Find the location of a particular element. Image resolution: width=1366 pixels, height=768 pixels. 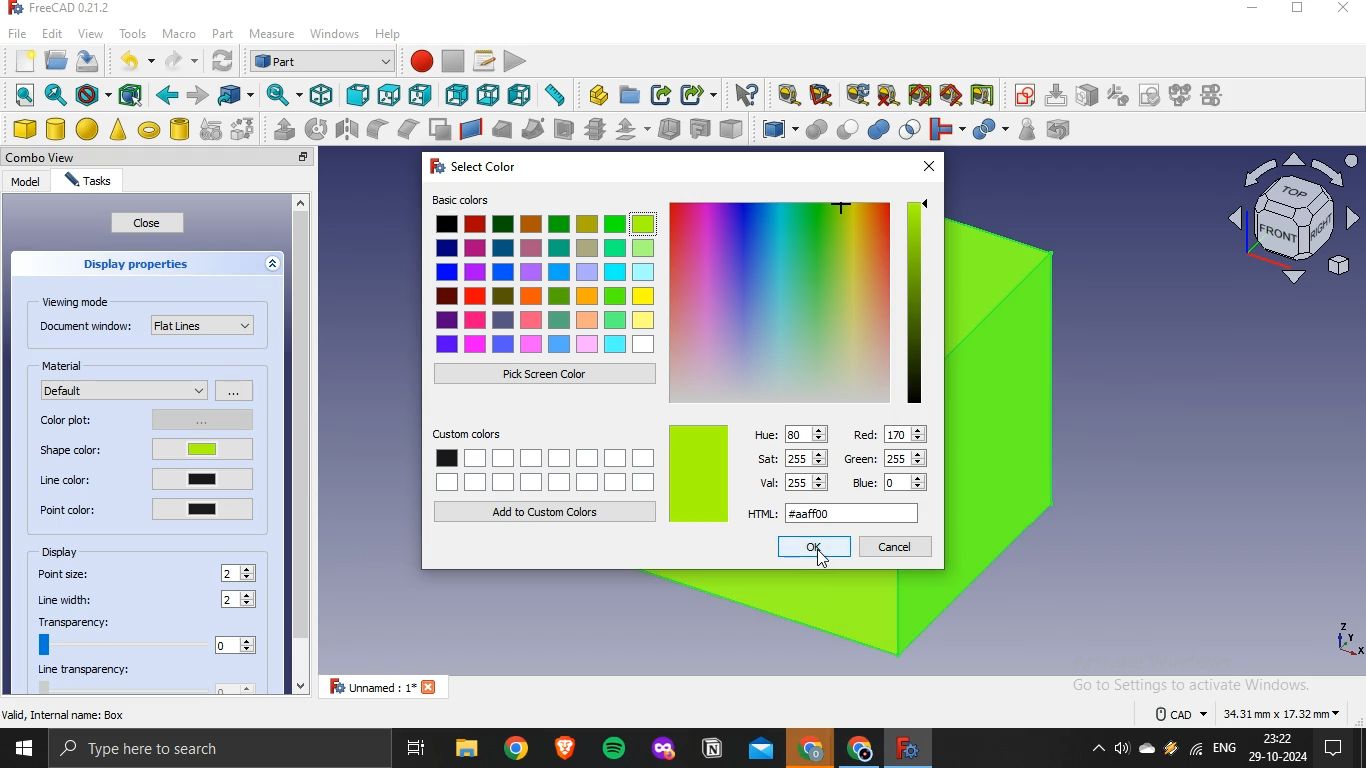

edit is located at coordinates (52, 32).